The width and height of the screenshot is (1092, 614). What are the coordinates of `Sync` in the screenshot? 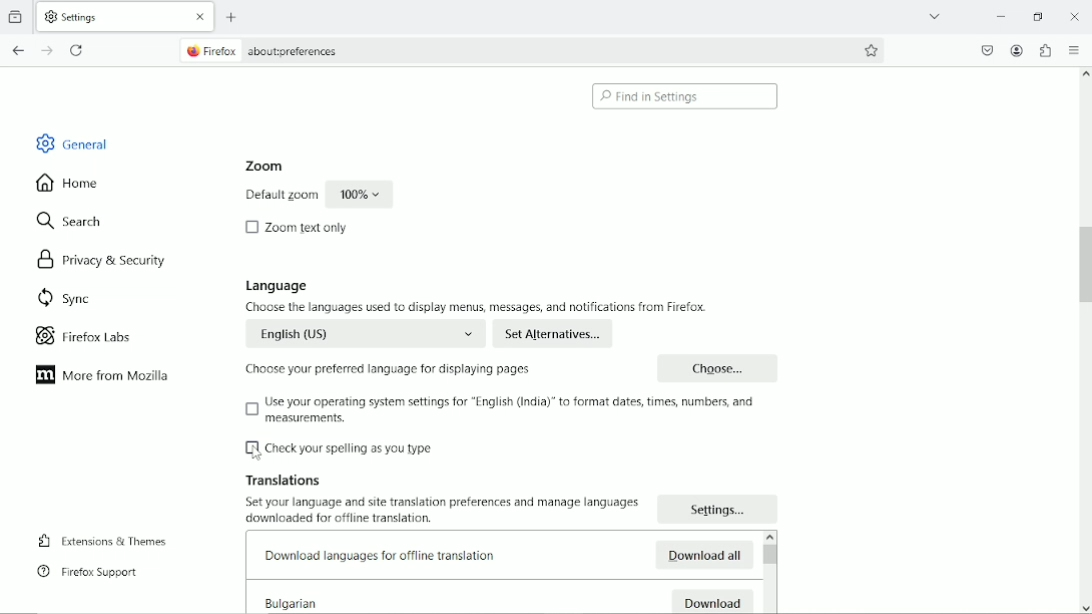 It's located at (65, 298).